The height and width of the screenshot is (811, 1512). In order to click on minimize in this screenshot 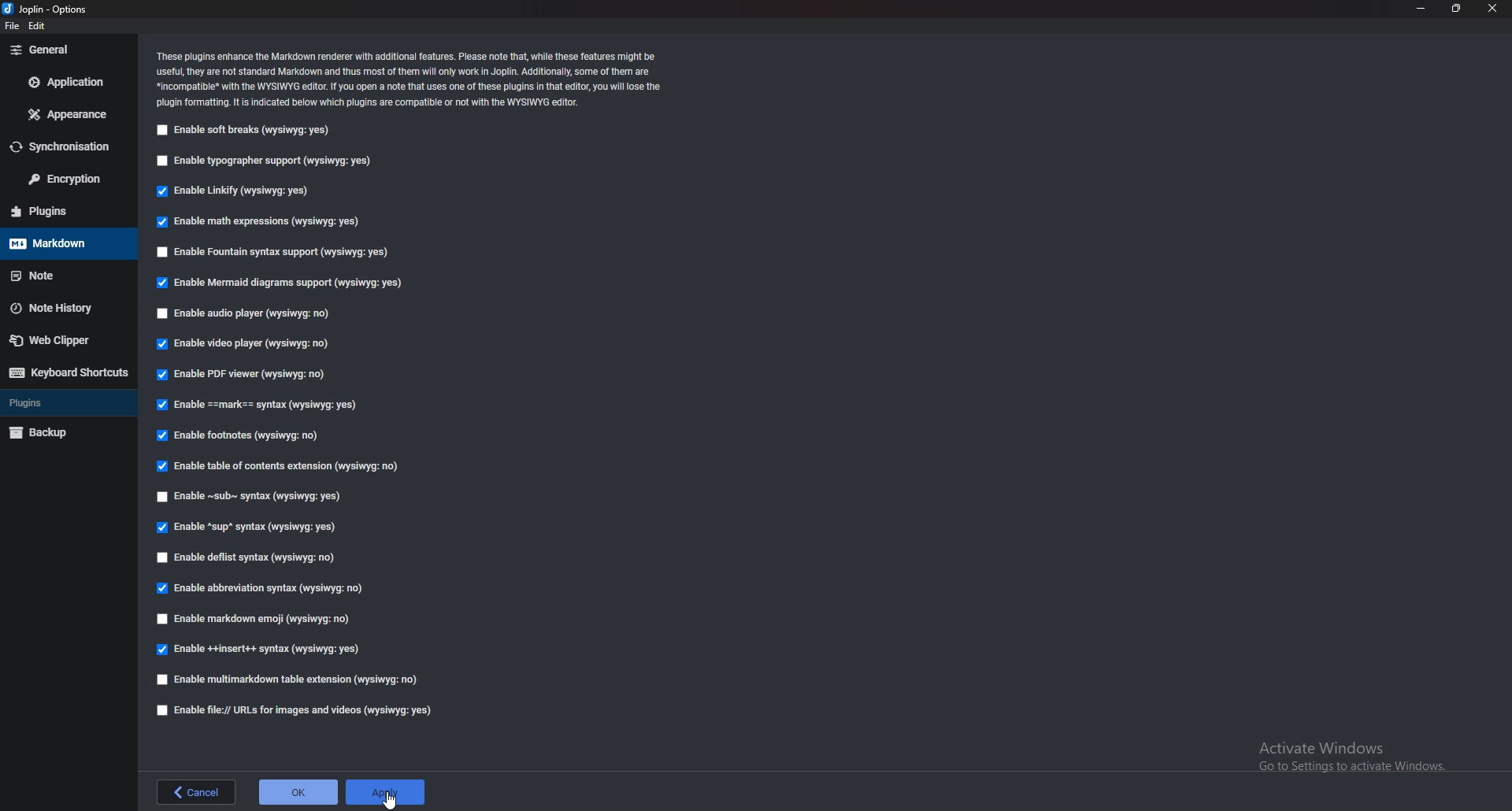, I will do `click(1420, 9)`.